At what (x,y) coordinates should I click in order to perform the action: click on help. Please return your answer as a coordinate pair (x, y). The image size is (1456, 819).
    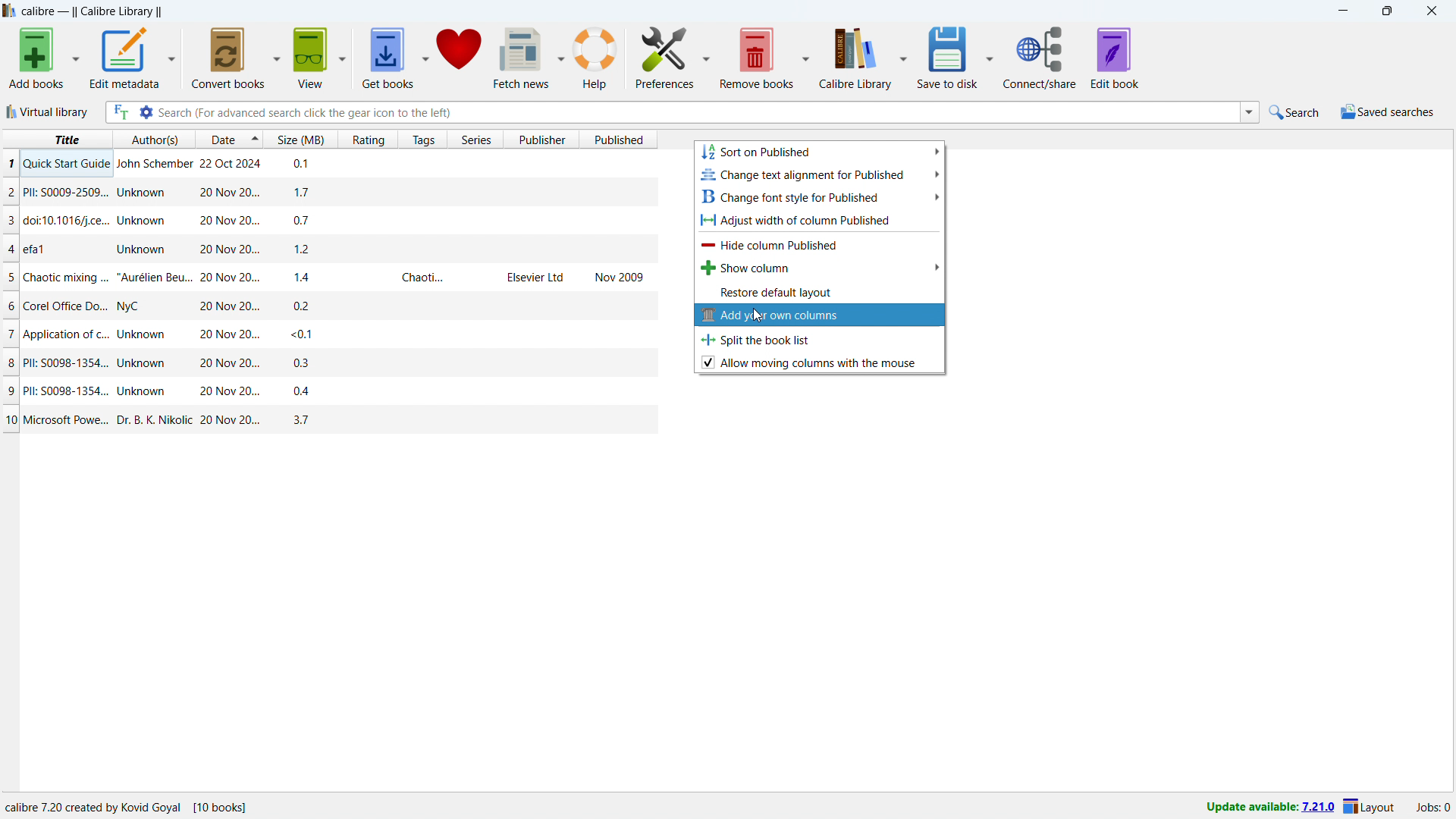
    Looking at the image, I should click on (596, 57).